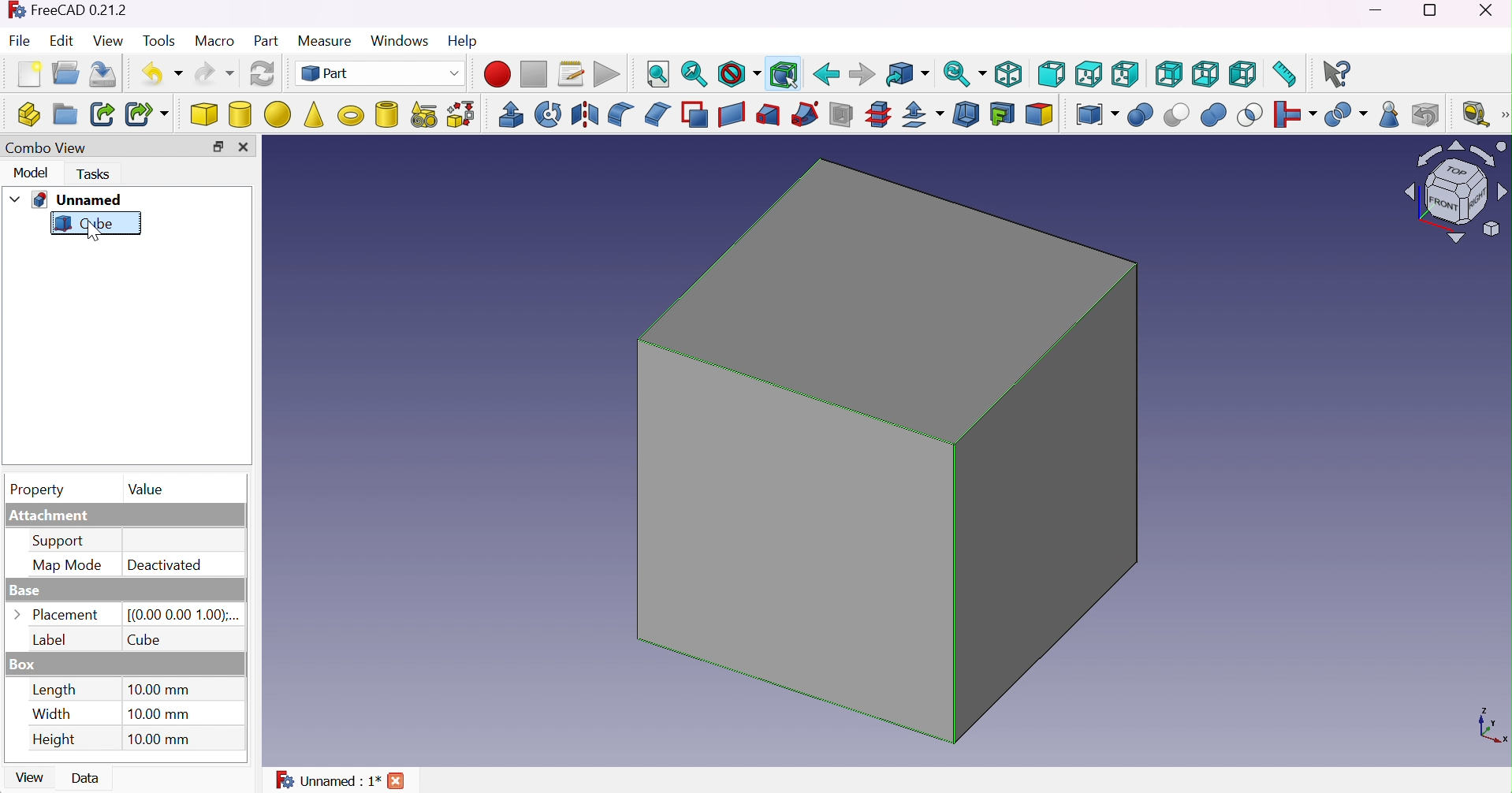  I want to click on Cylinder, so click(240, 115).